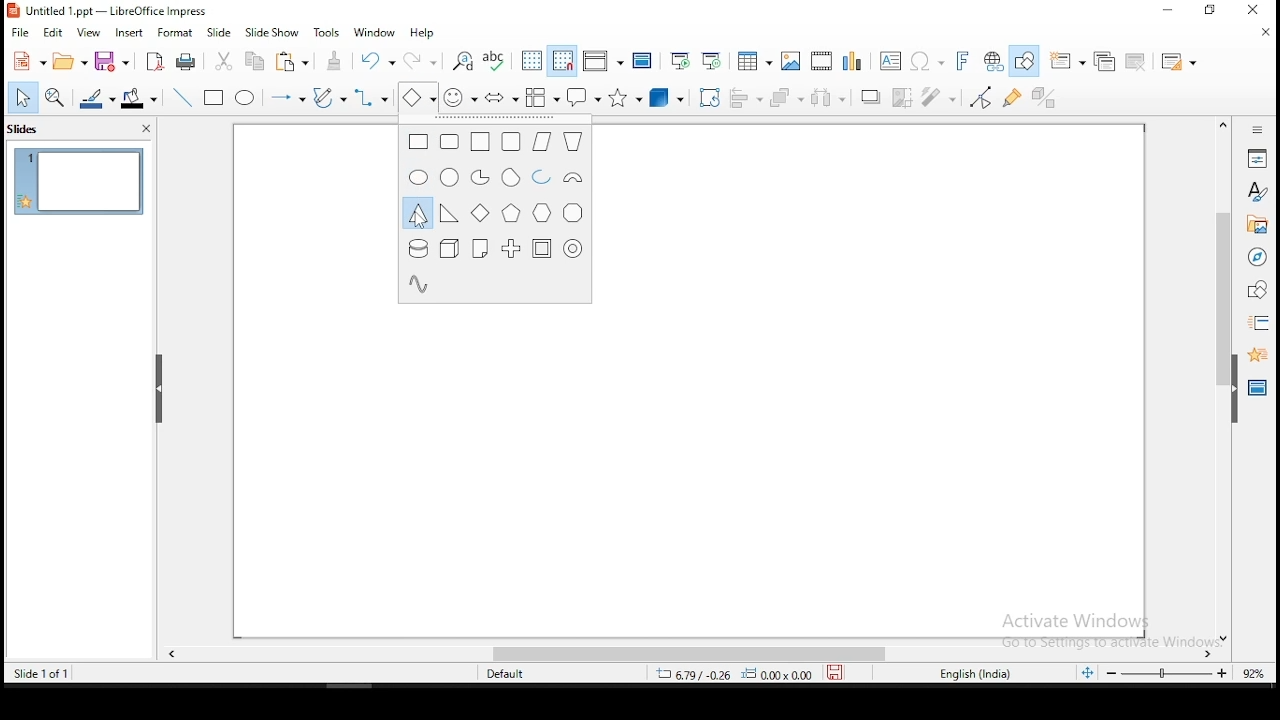 Image resolution: width=1280 pixels, height=720 pixels. I want to click on distribute, so click(834, 97).